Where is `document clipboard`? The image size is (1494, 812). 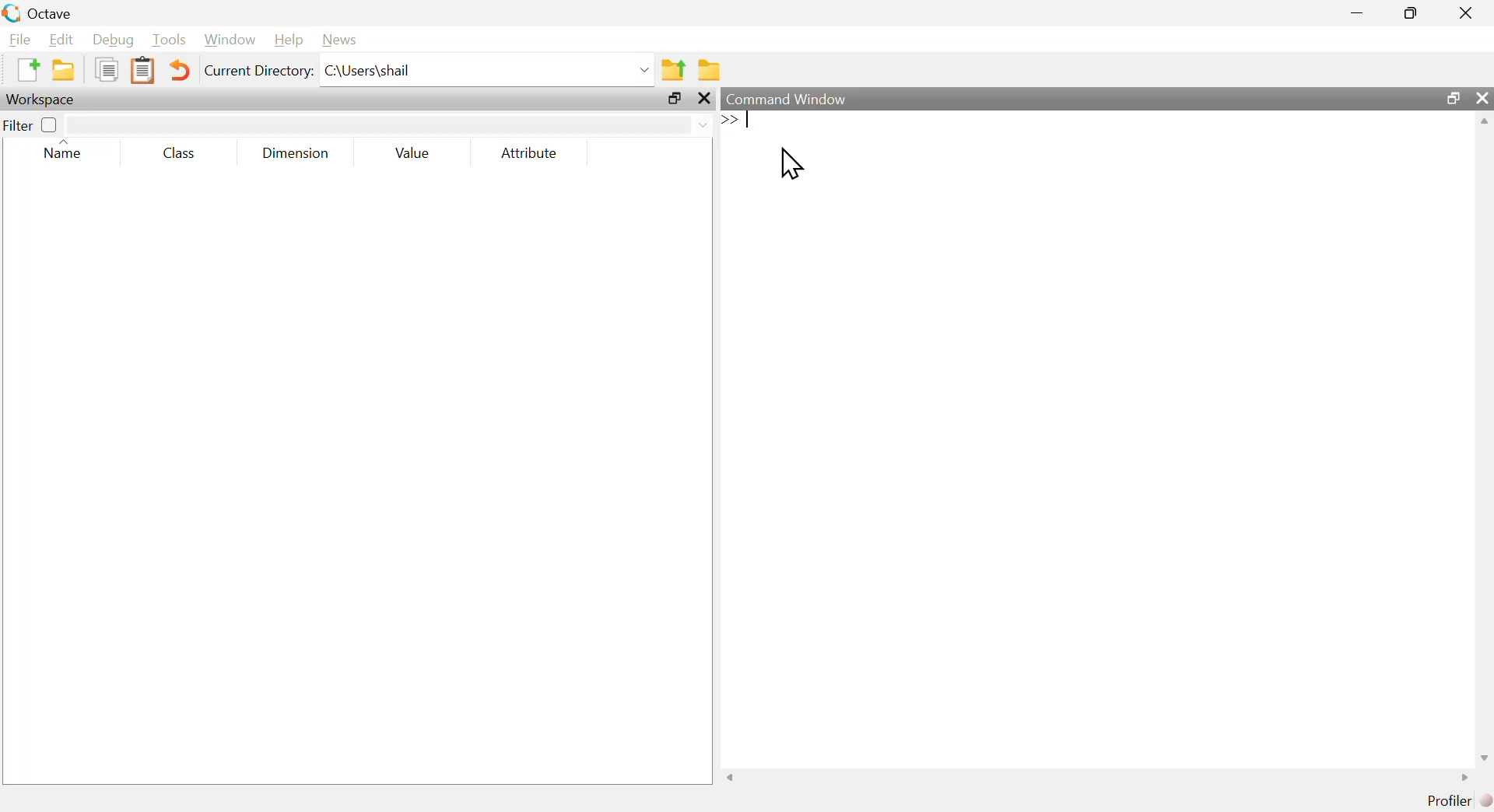
document clipboard is located at coordinates (145, 71).